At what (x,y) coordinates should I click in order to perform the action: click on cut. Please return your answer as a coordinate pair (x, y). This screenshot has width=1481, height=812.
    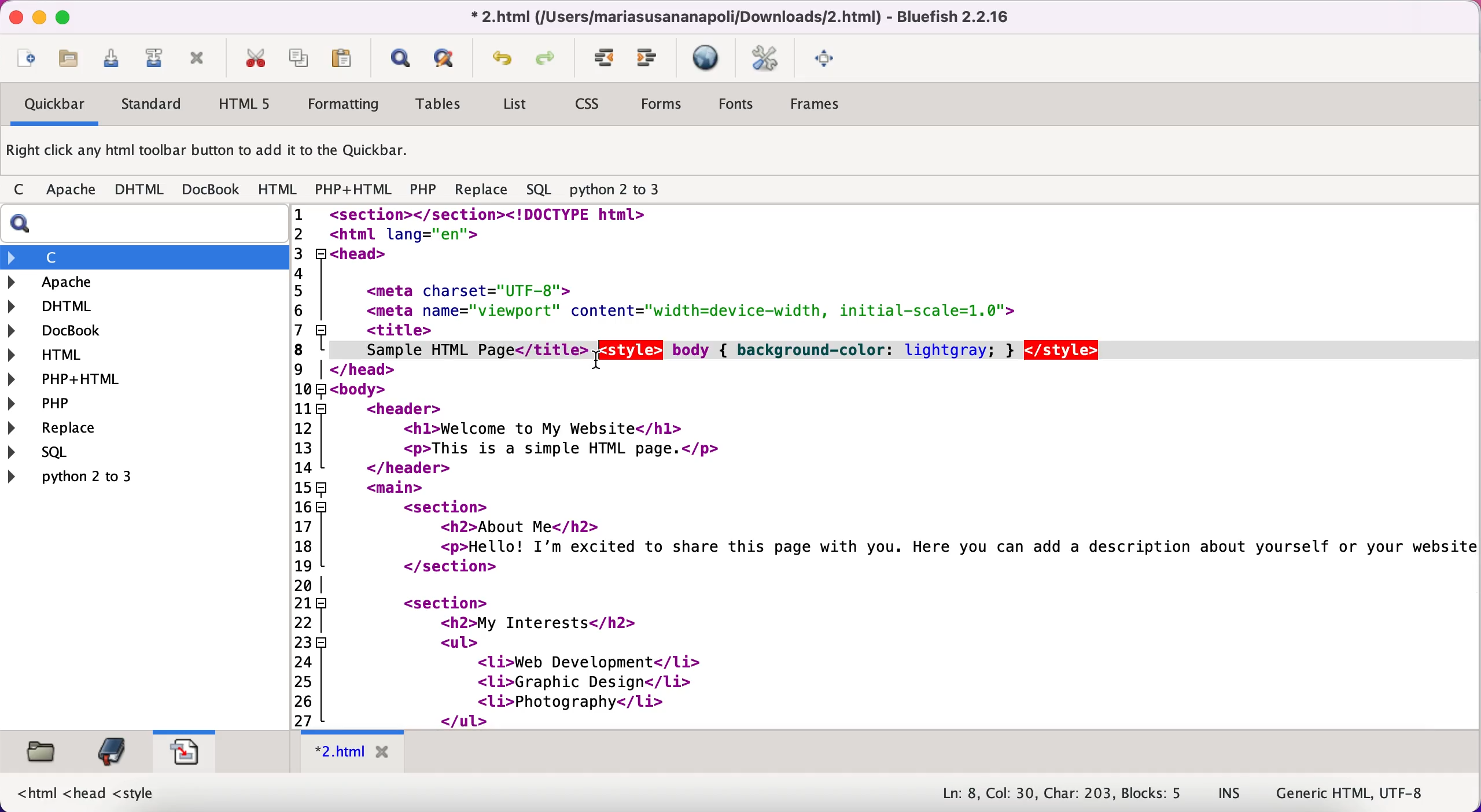
    Looking at the image, I should click on (255, 58).